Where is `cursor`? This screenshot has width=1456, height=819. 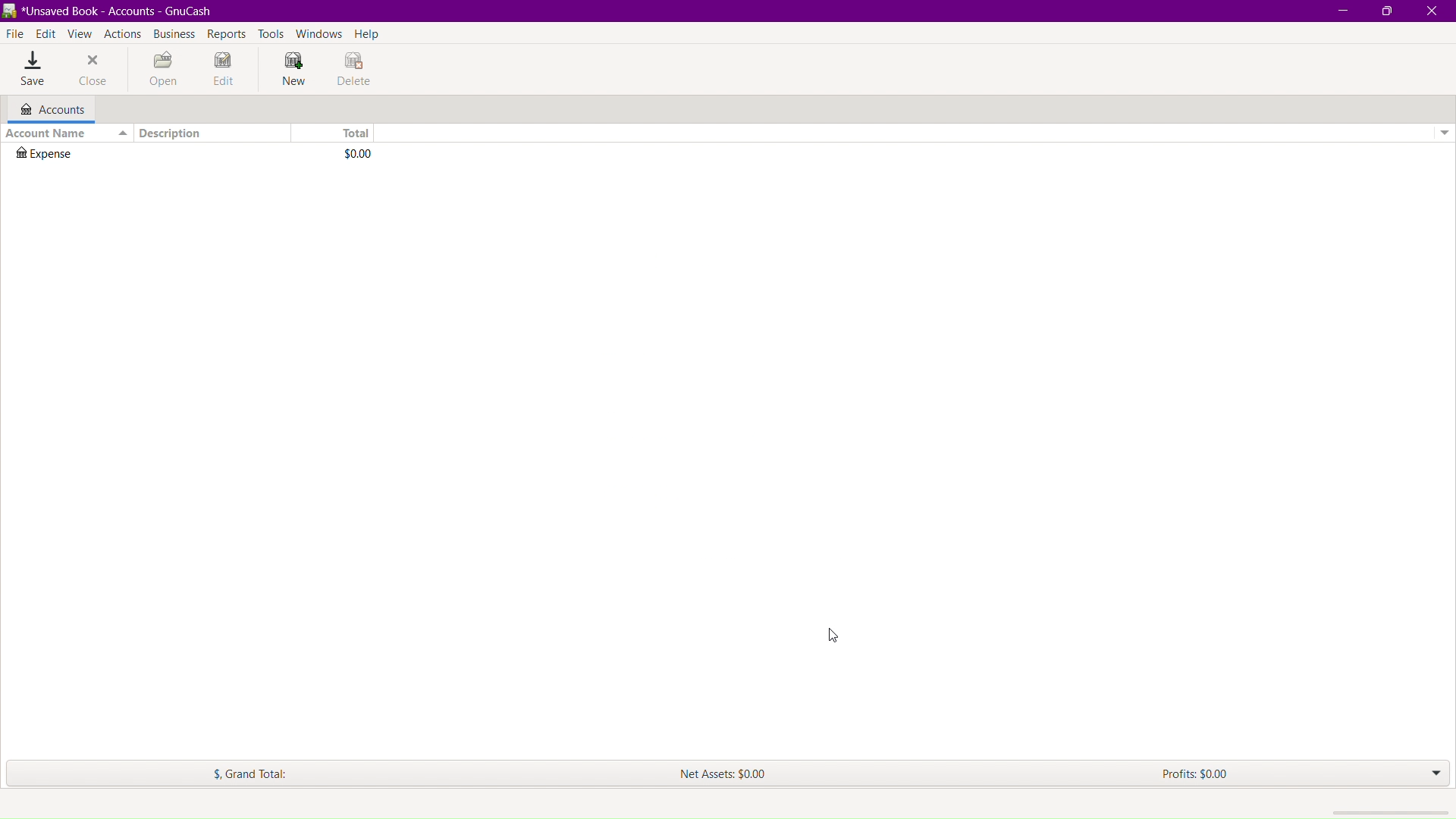
cursor is located at coordinates (303, 70).